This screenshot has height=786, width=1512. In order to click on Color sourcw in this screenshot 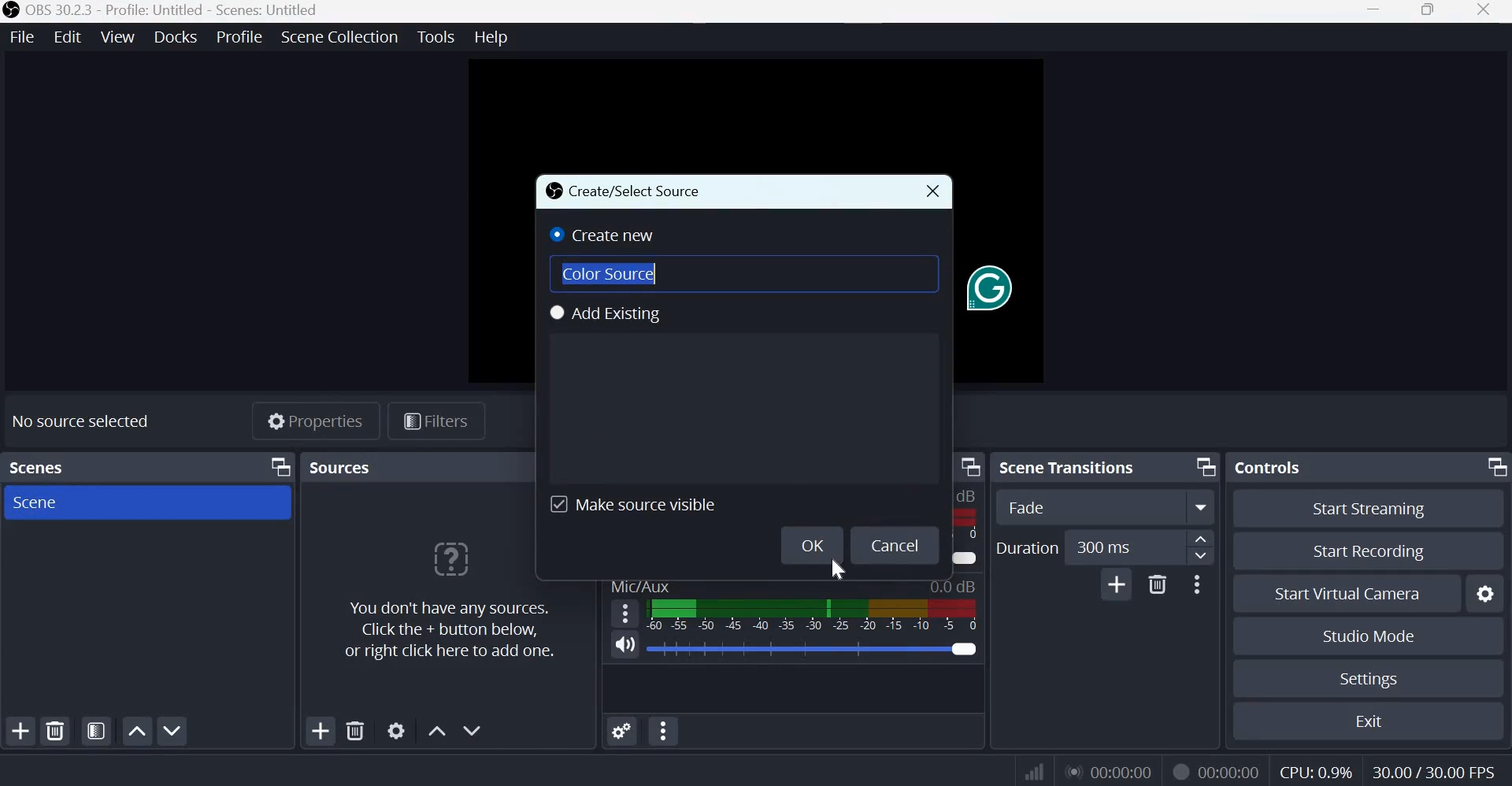, I will do `click(612, 271)`.